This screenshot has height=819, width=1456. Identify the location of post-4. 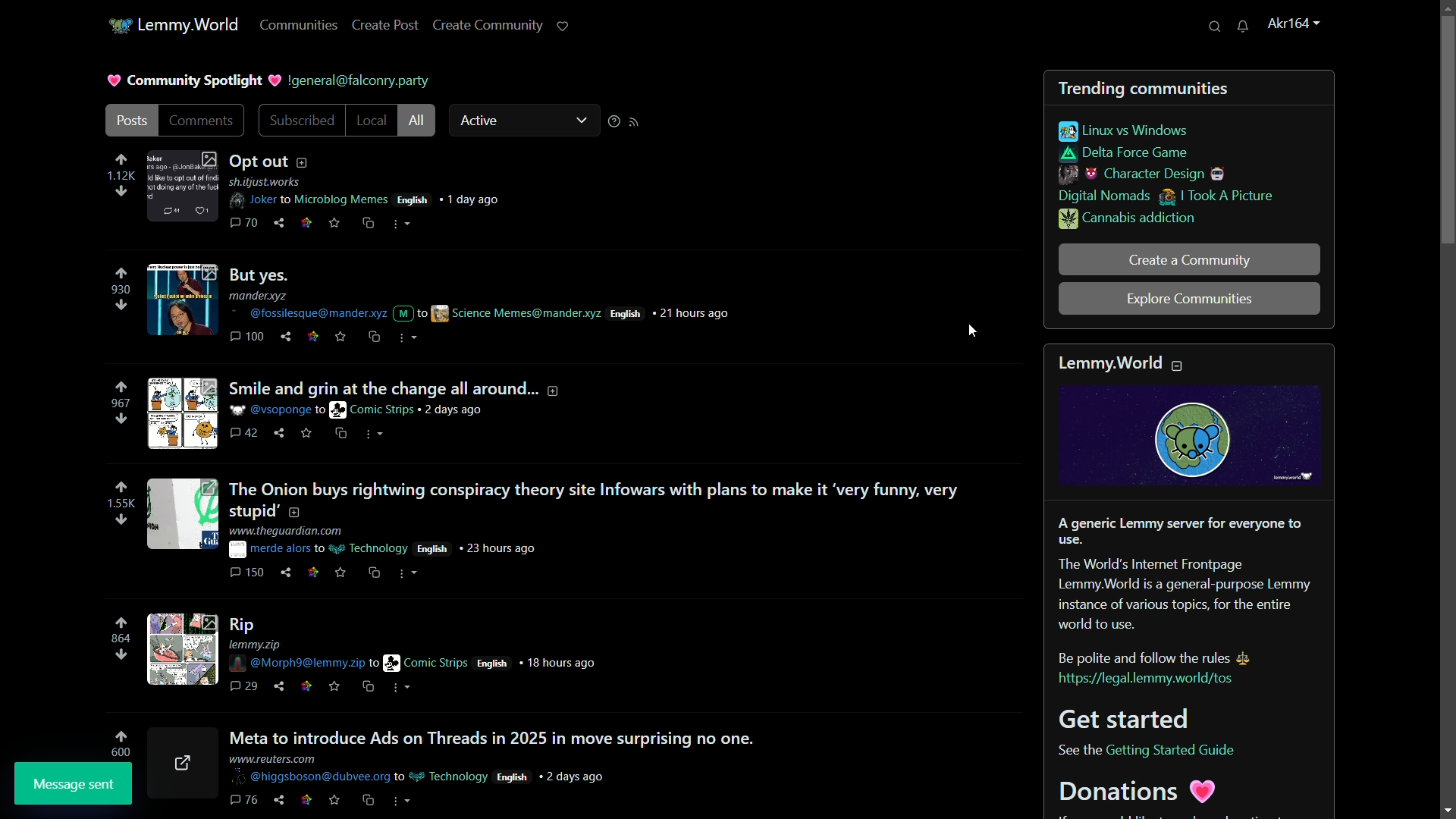
(243, 623).